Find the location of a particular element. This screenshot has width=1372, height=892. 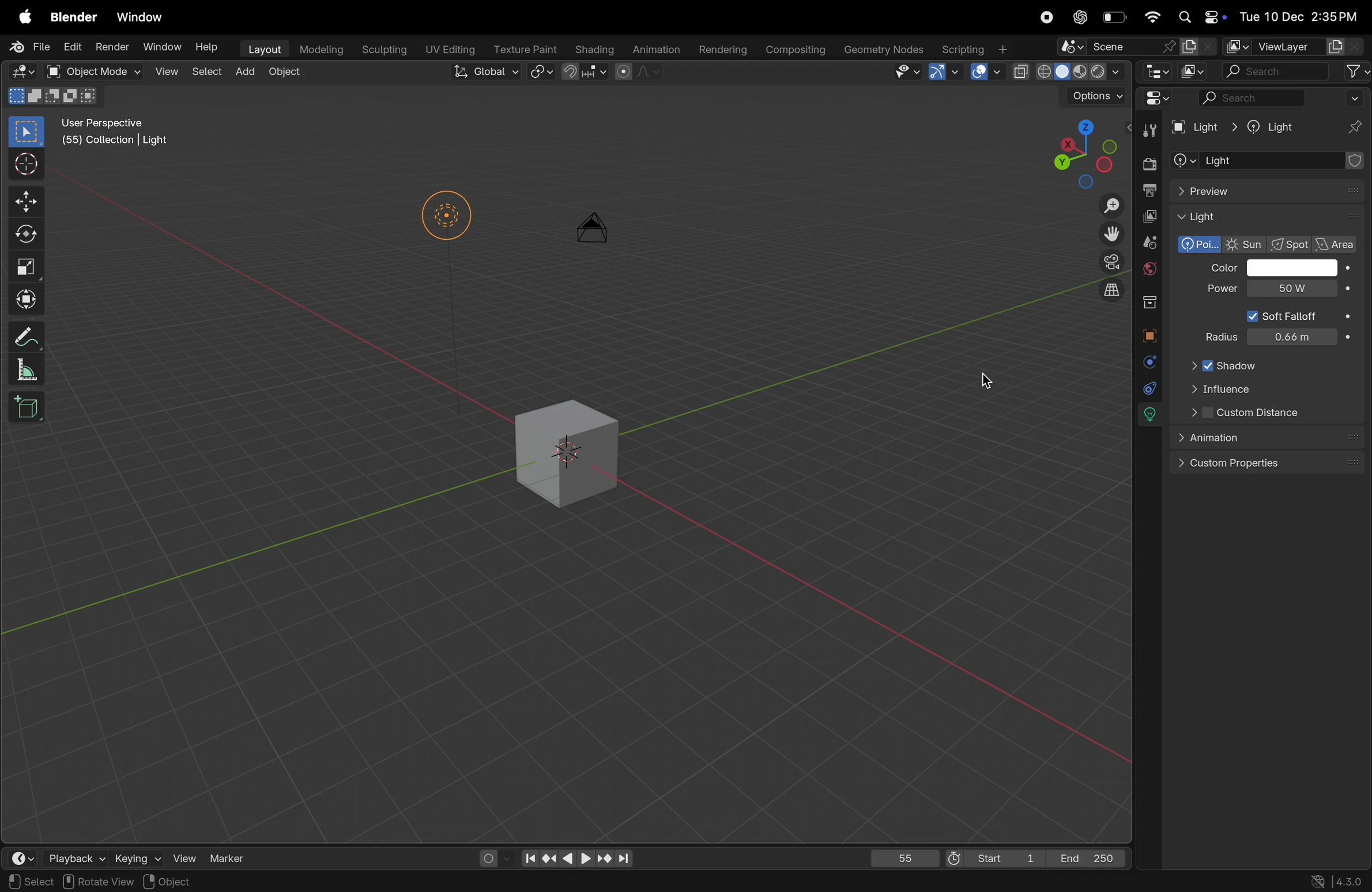

File is located at coordinates (28, 47).